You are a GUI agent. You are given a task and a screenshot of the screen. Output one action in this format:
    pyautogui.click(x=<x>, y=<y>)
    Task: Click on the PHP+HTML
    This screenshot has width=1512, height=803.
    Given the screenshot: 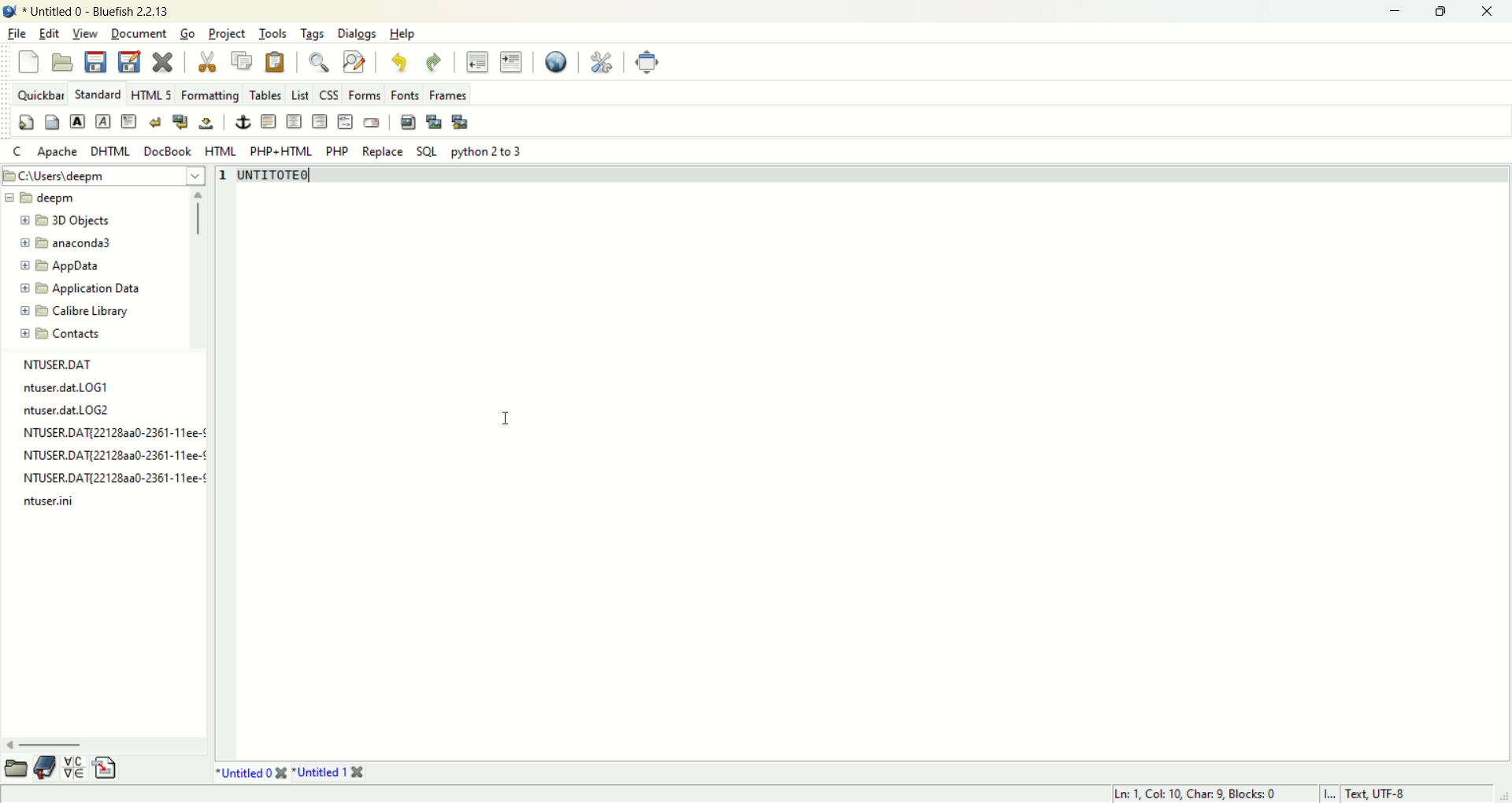 What is the action you would take?
    pyautogui.click(x=282, y=151)
    